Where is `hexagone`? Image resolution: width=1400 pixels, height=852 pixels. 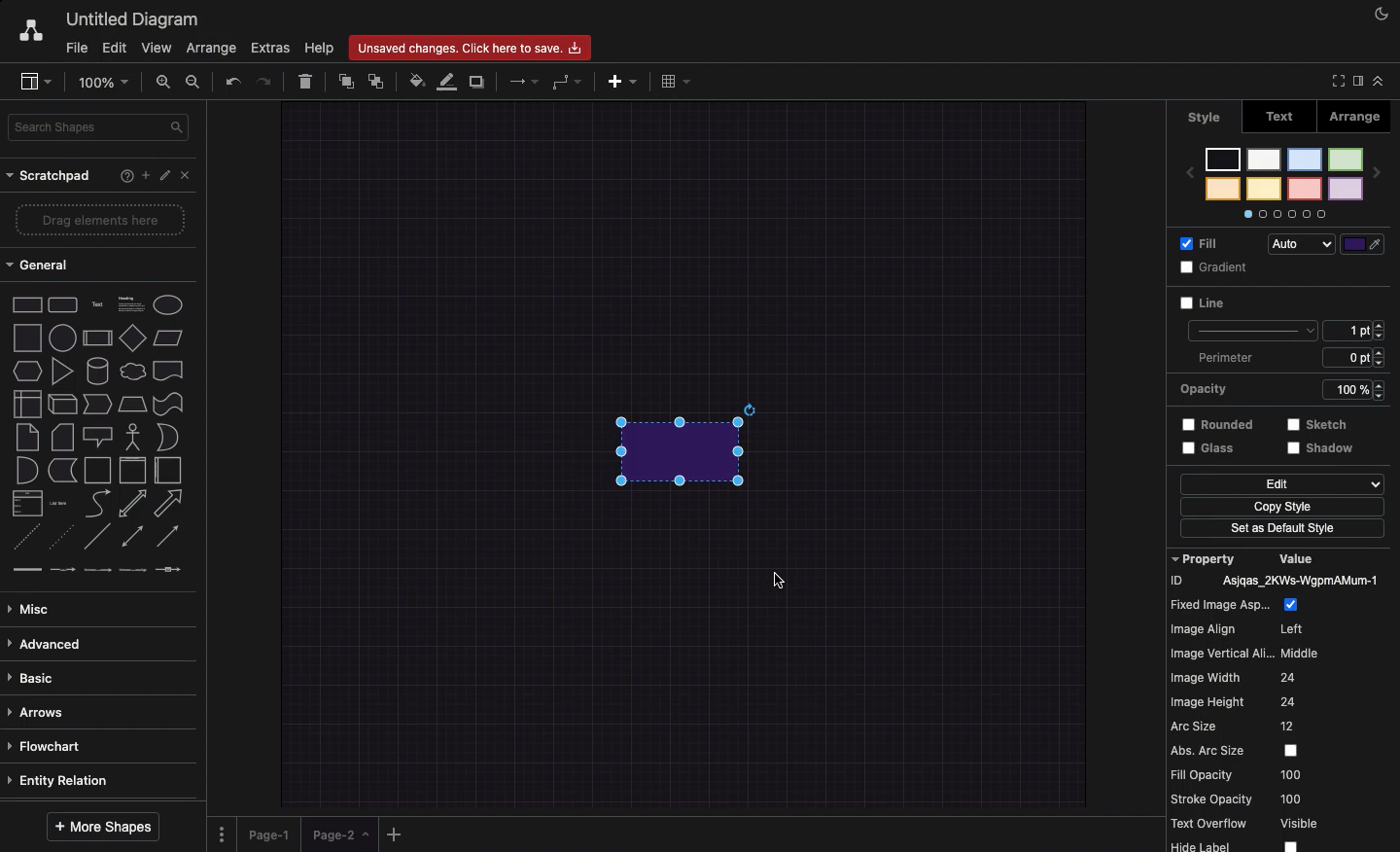
hexagone is located at coordinates (26, 369).